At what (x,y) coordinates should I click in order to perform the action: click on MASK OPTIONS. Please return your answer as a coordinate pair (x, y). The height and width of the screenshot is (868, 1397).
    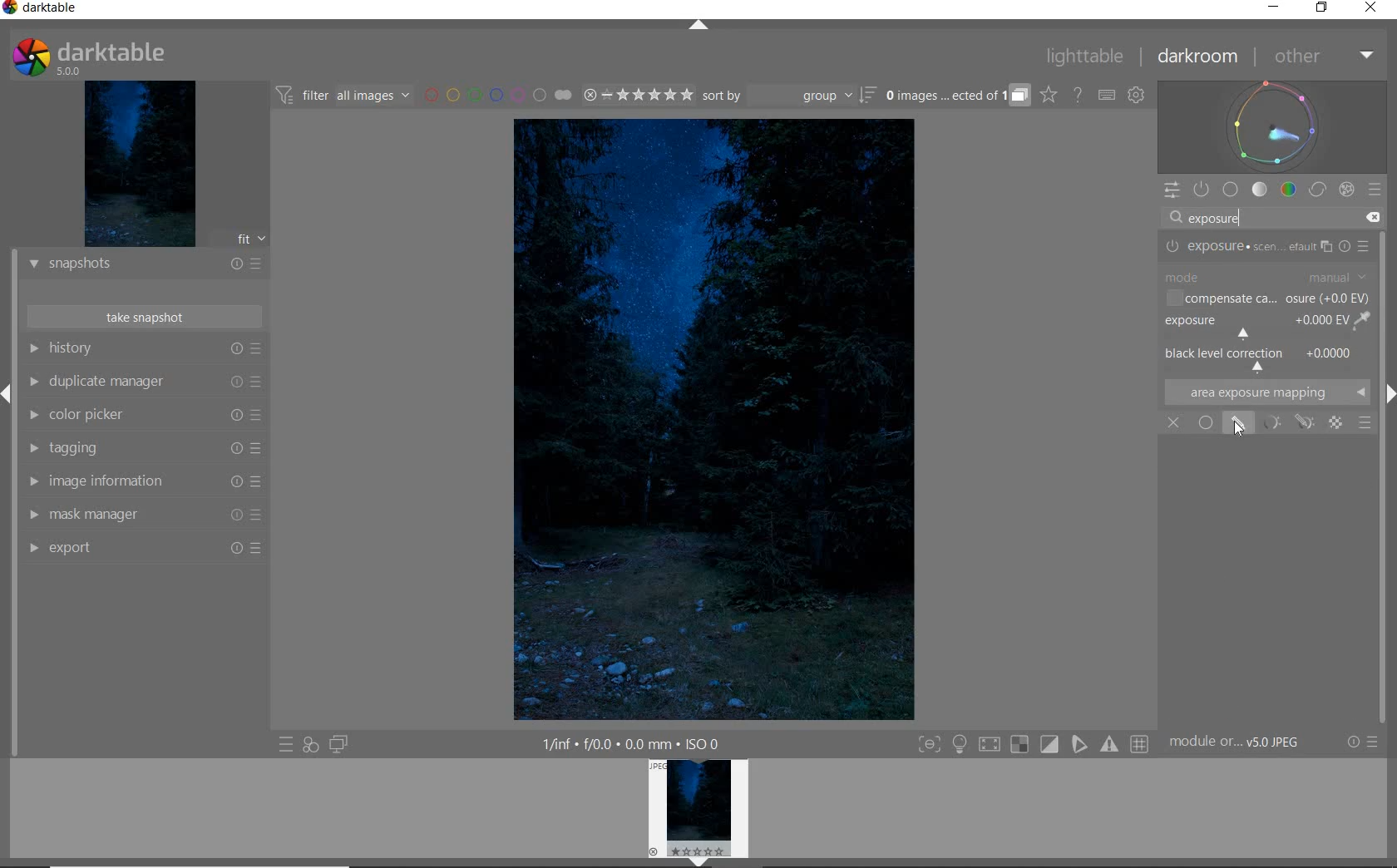
    Looking at the image, I should click on (1286, 422).